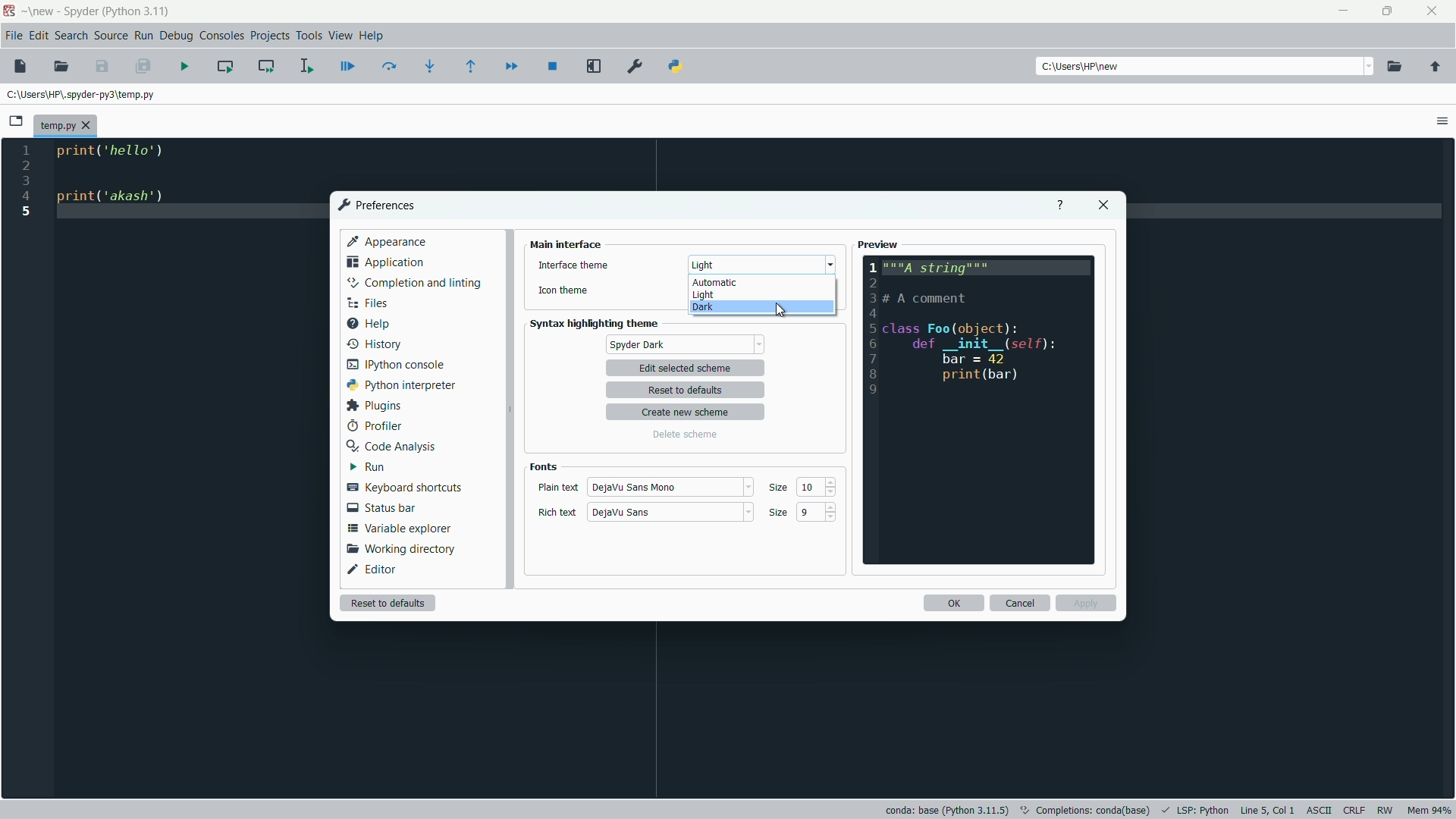 The height and width of the screenshot is (819, 1456). I want to click on application, so click(385, 262).